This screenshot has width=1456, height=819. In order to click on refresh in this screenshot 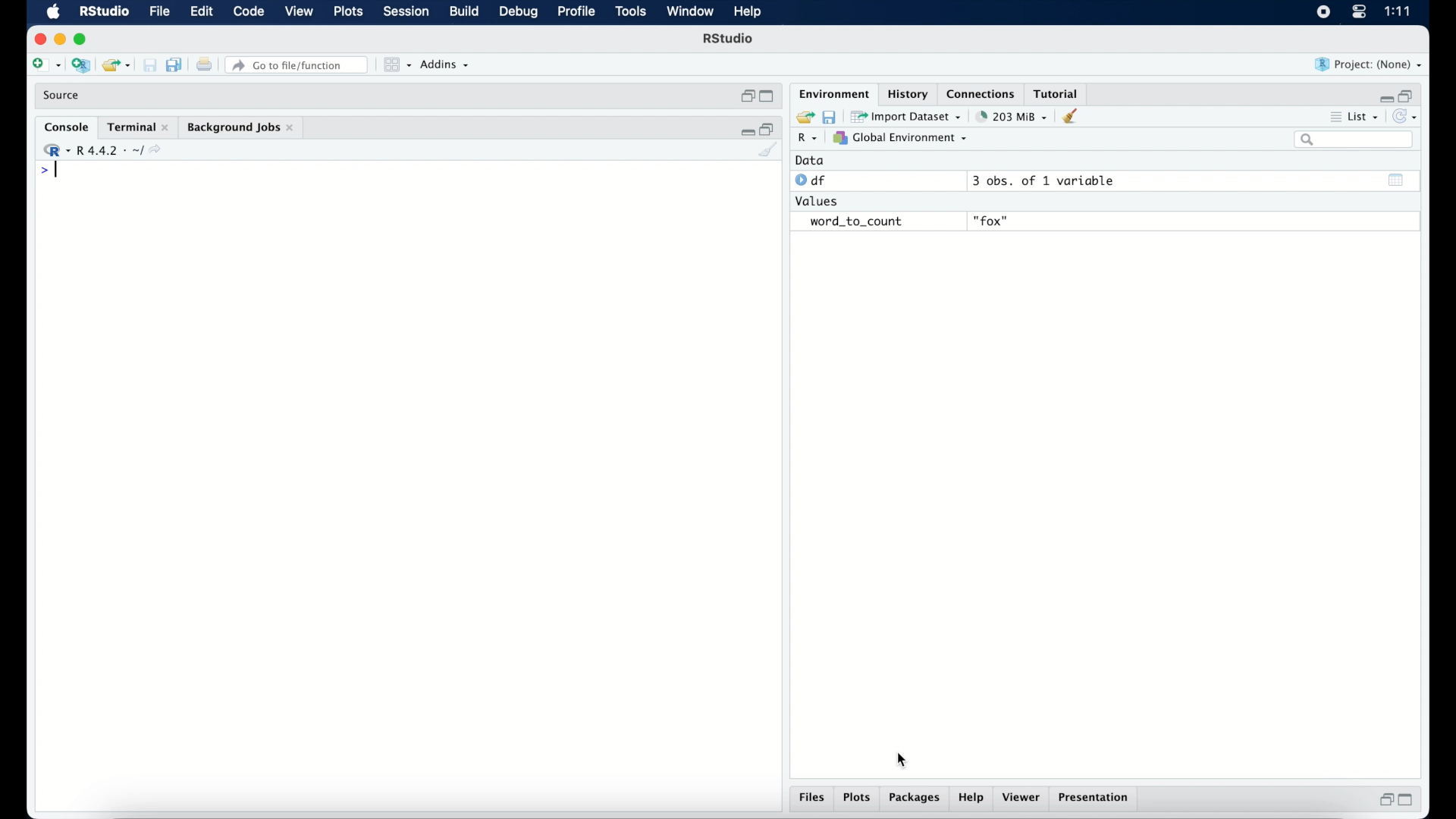, I will do `click(1407, 117)`.